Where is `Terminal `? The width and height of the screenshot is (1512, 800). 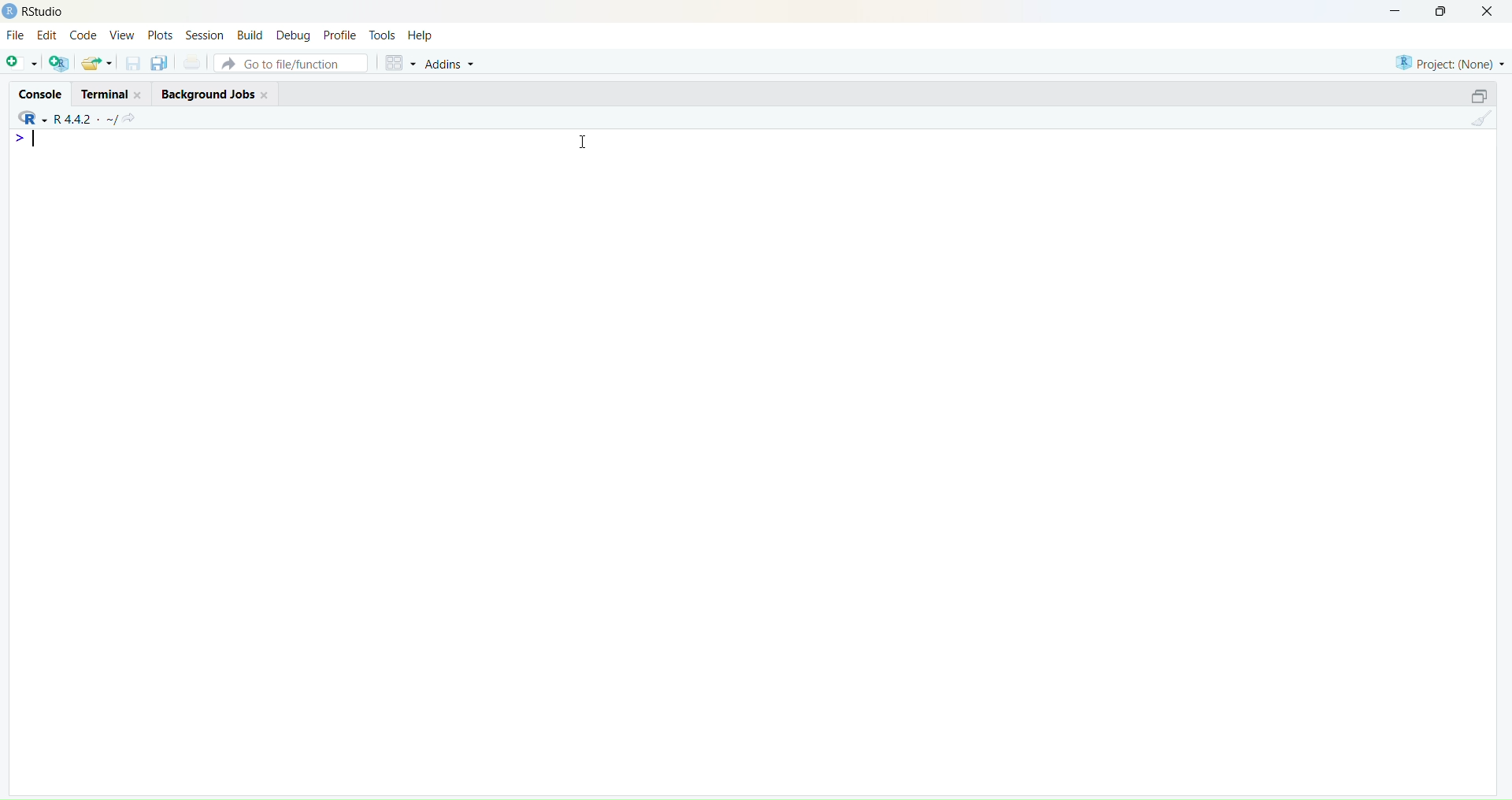
Terminal  is located at coordinates (104, 94).